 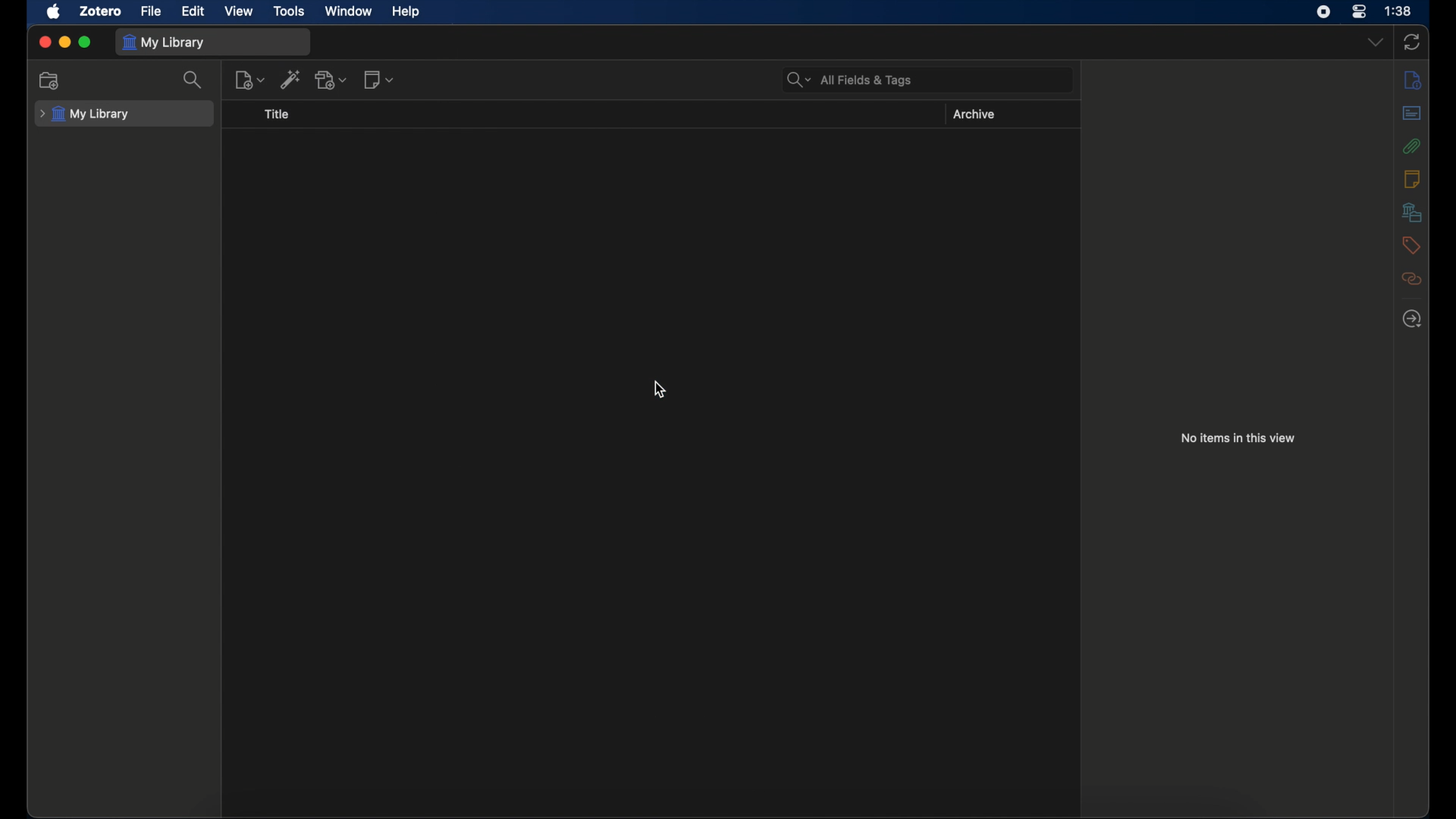 I want to click on maximize, so click(x=86, y=42).